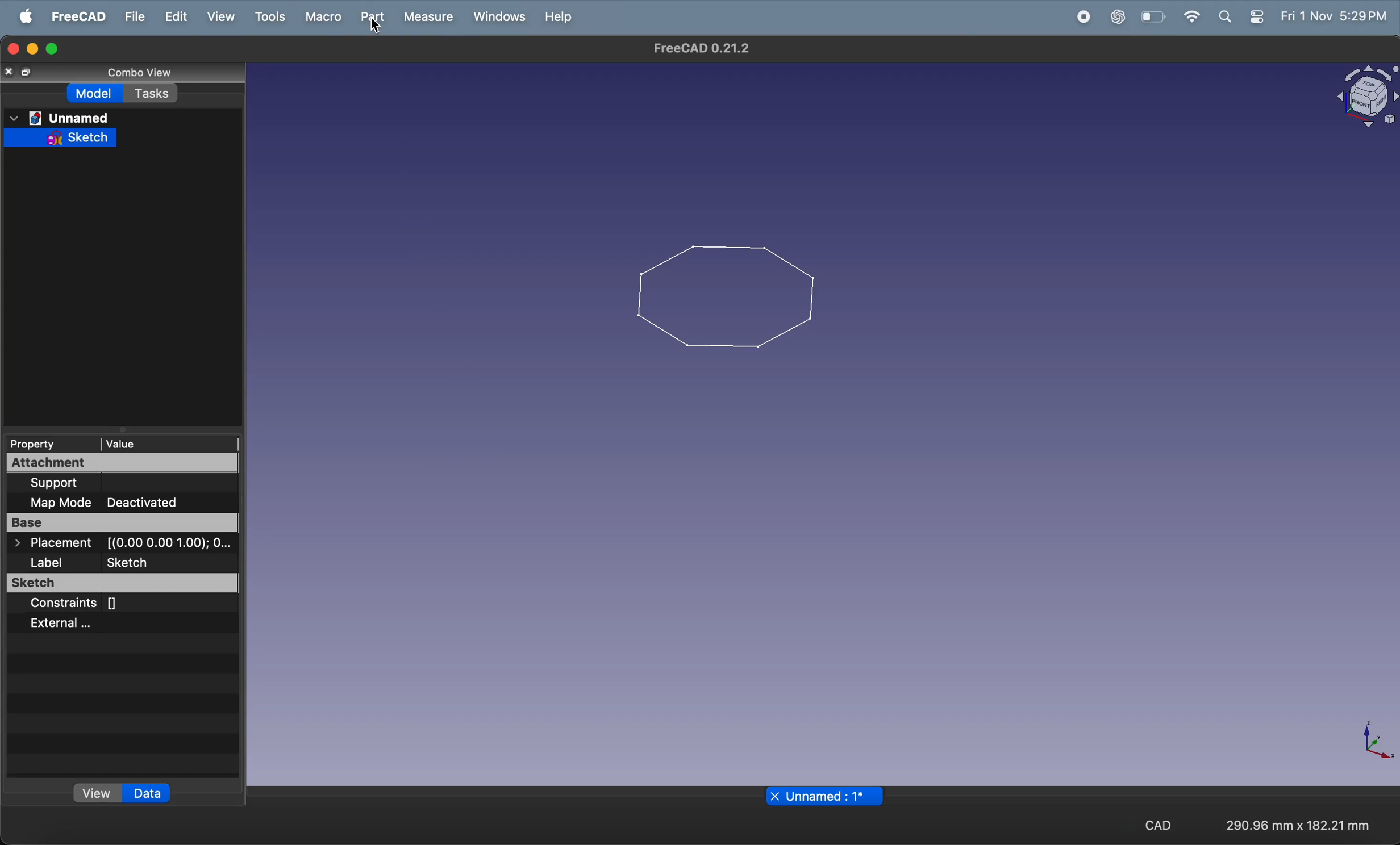  Describe the element at coordinates (1152, 18) in the screenshot. I see `battery` at that location.